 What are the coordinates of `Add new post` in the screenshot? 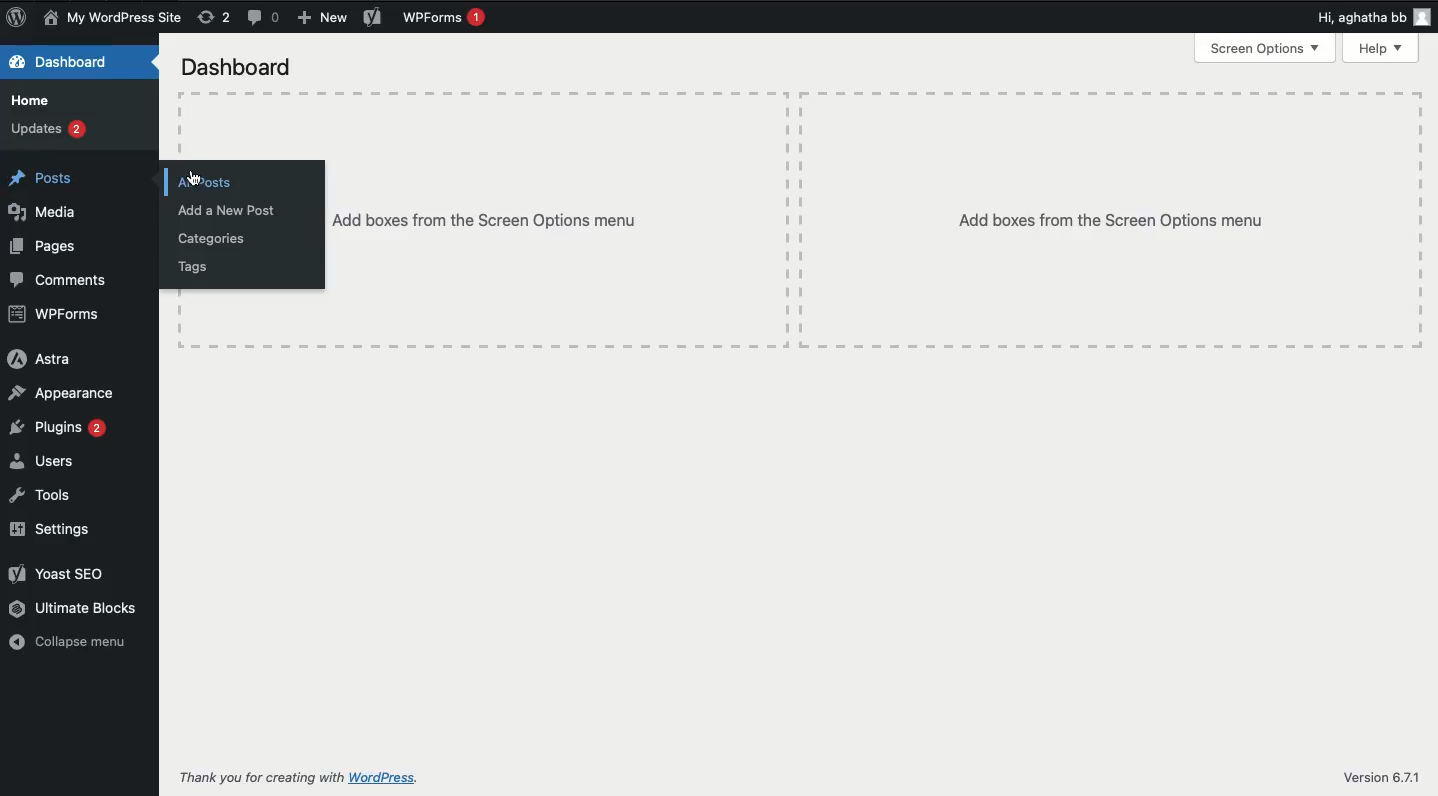 It's located at (234, 211).